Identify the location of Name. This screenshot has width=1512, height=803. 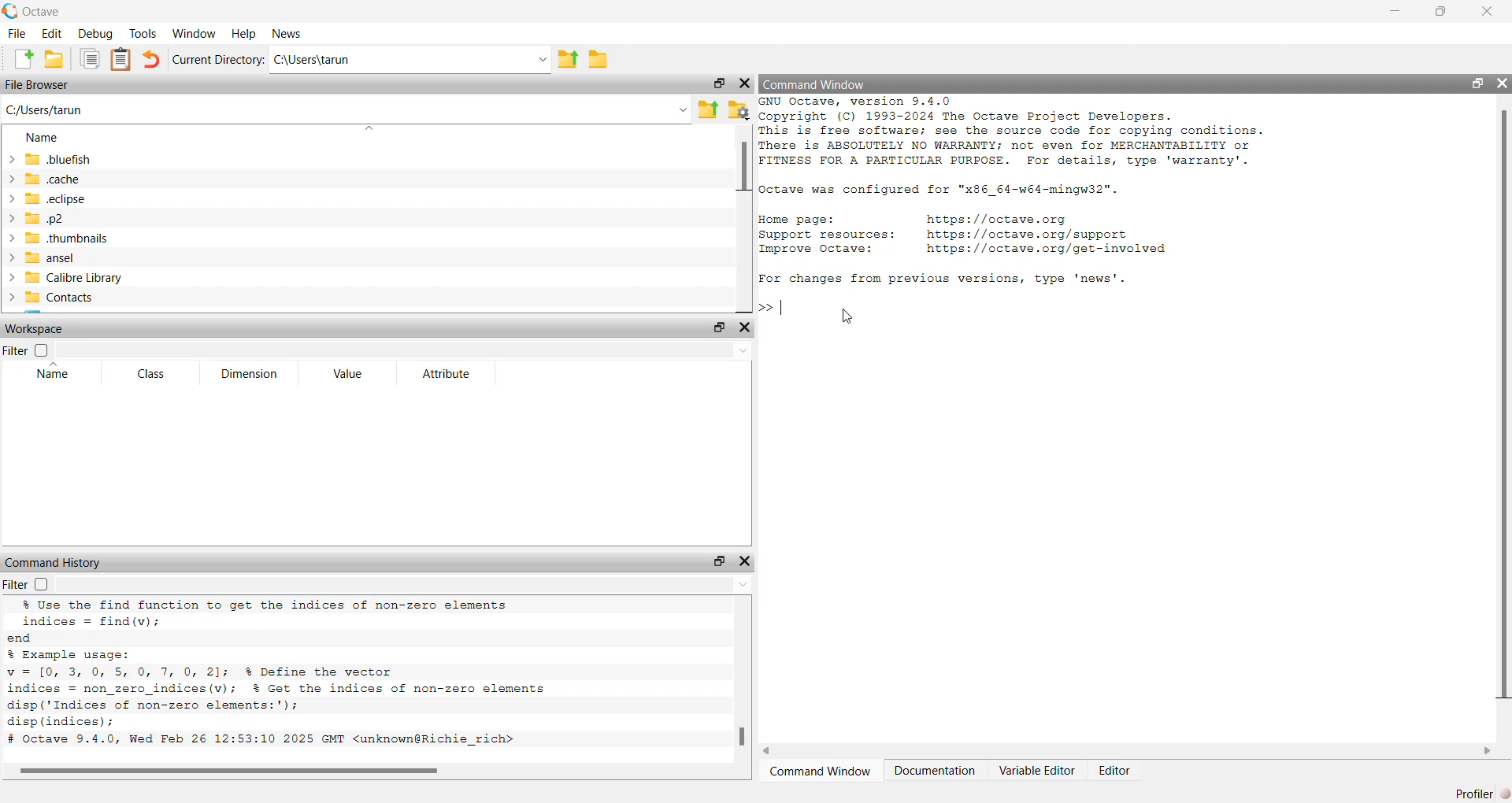
(54, 376).